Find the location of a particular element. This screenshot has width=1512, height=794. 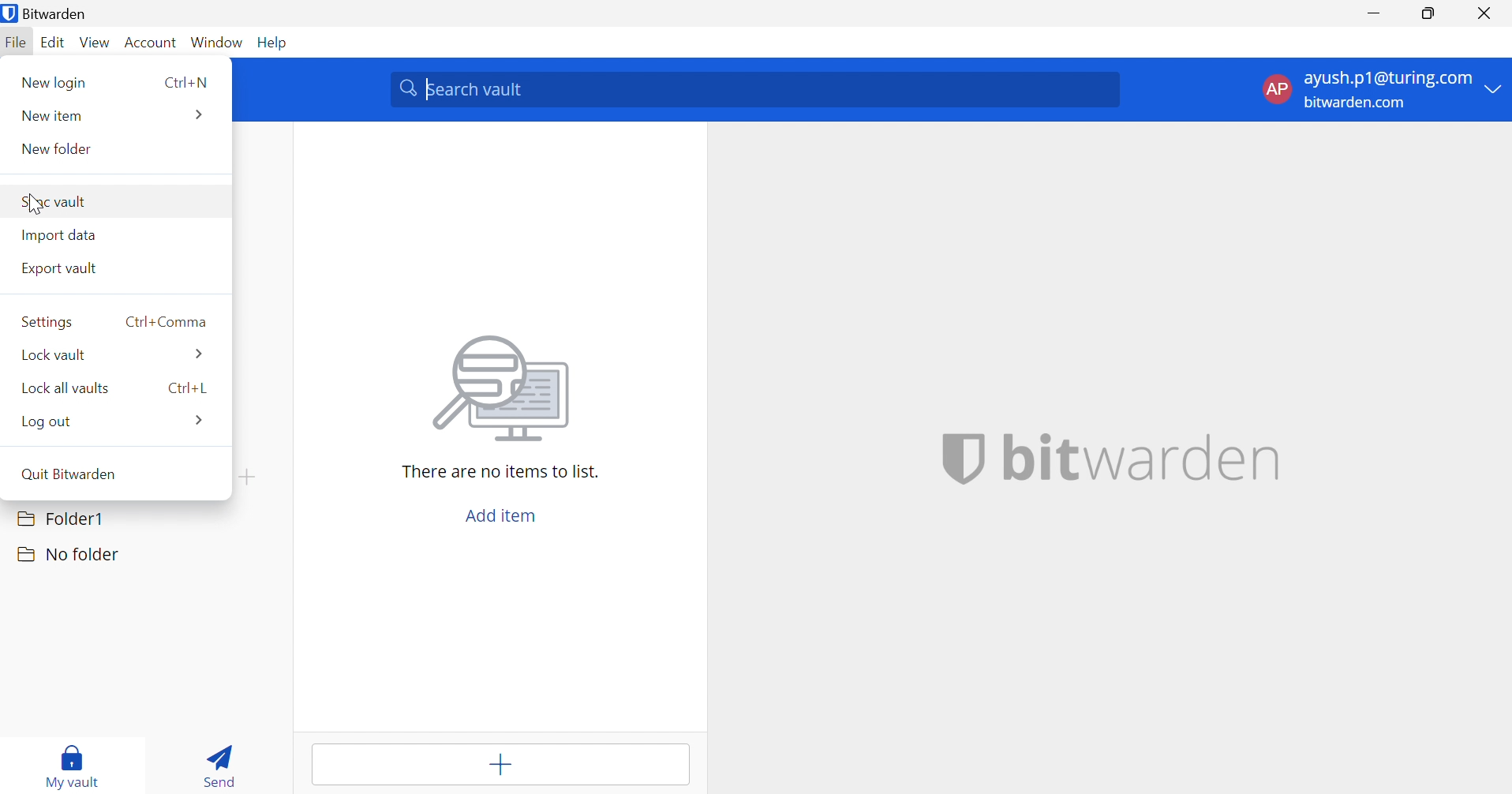

More is located at coordinates (197, 354).